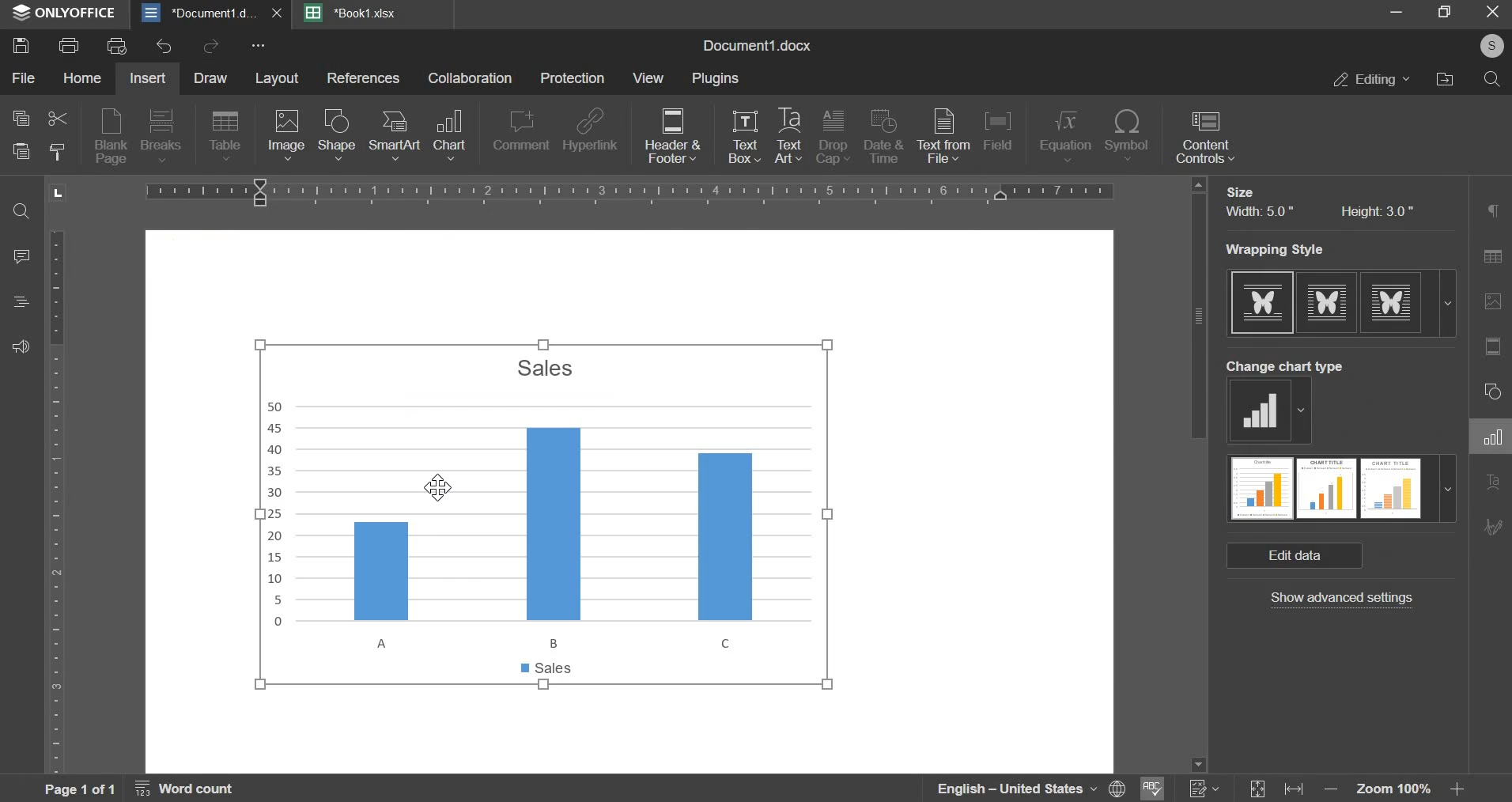 This screenshot has width=1512, height=802. I want to click on cursor, so click(435, 490).